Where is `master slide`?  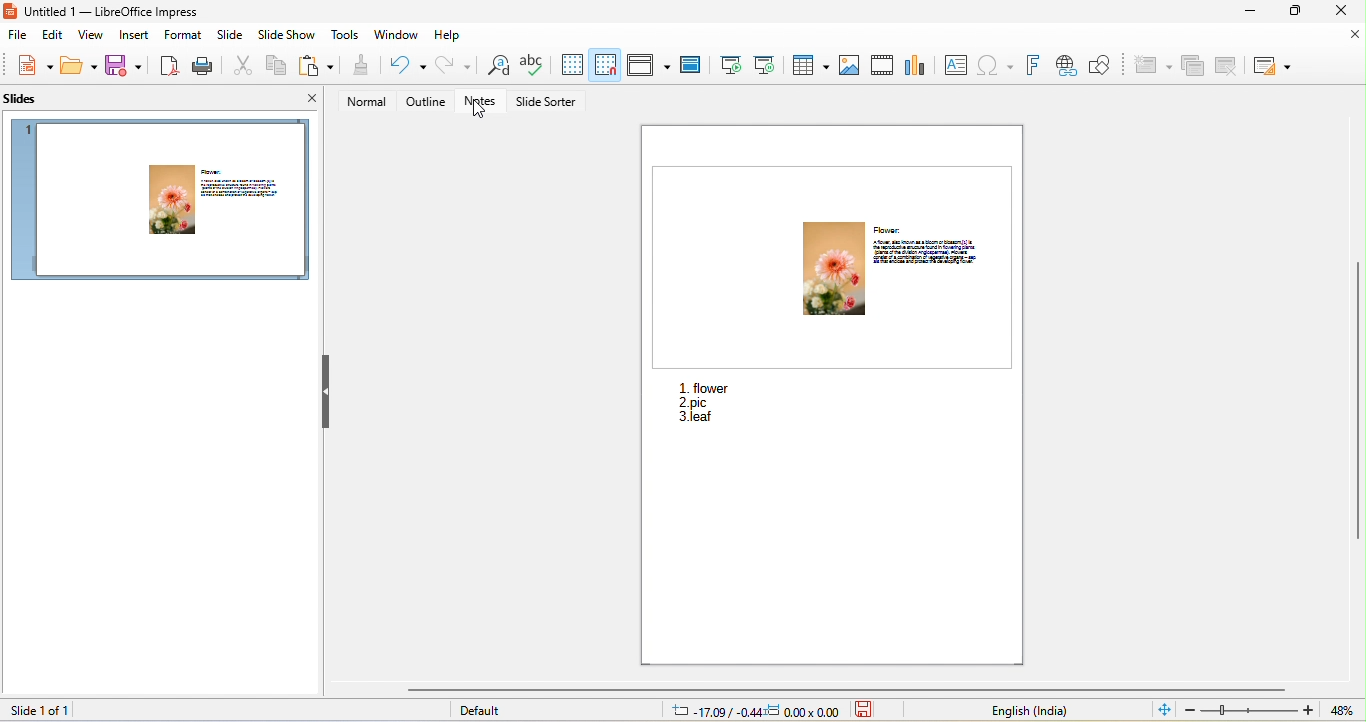 master slide is located at coordinates (692, 65).